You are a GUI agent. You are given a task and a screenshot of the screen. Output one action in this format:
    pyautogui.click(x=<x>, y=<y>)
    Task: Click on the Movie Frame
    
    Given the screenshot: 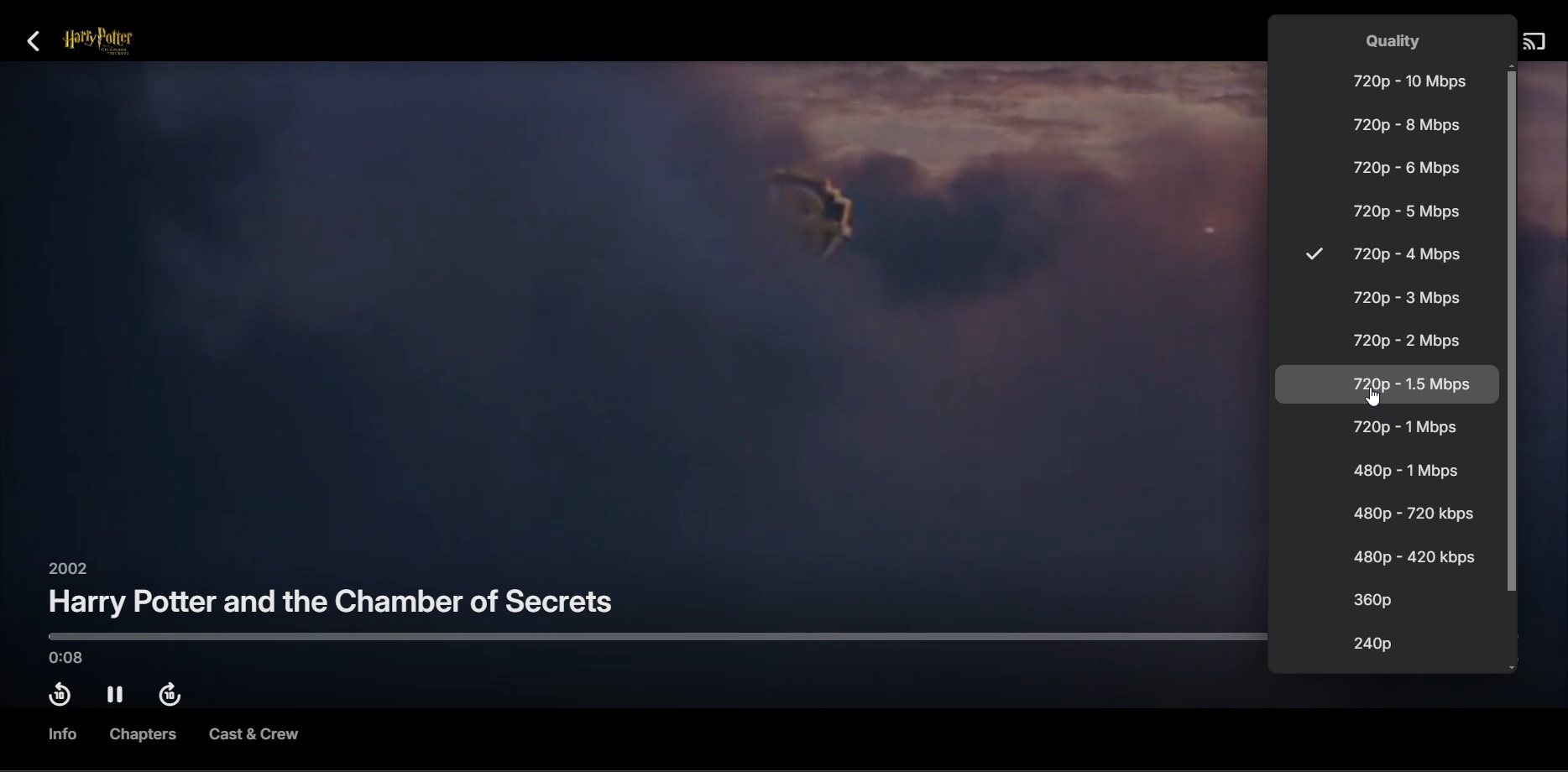 What is the action you would take?
    pyautogui.click(x=630, y=313)
    